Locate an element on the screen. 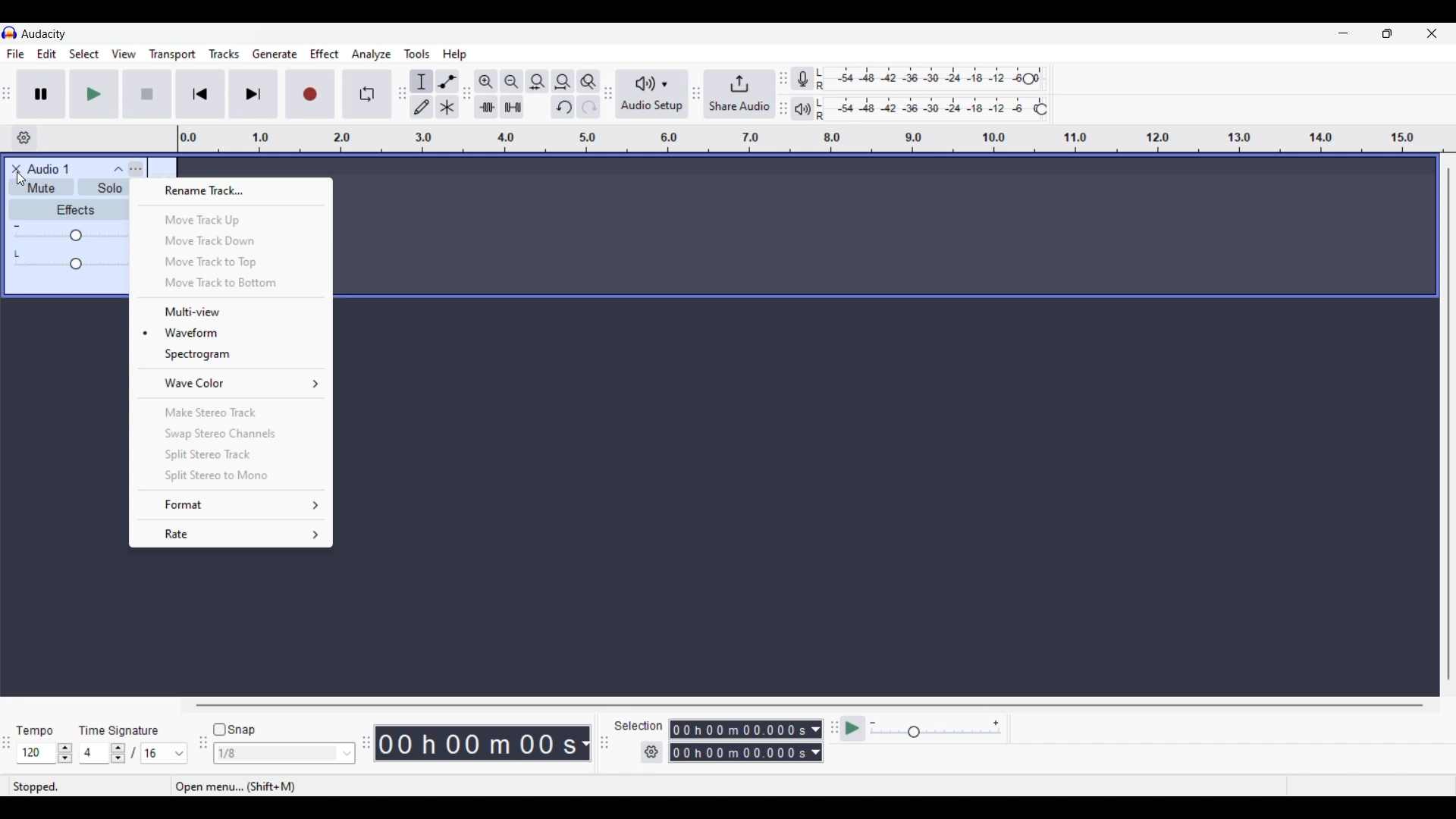 The height and width of the screenshot is (819, 1456). Record meter is located at coordinates (809, 80).